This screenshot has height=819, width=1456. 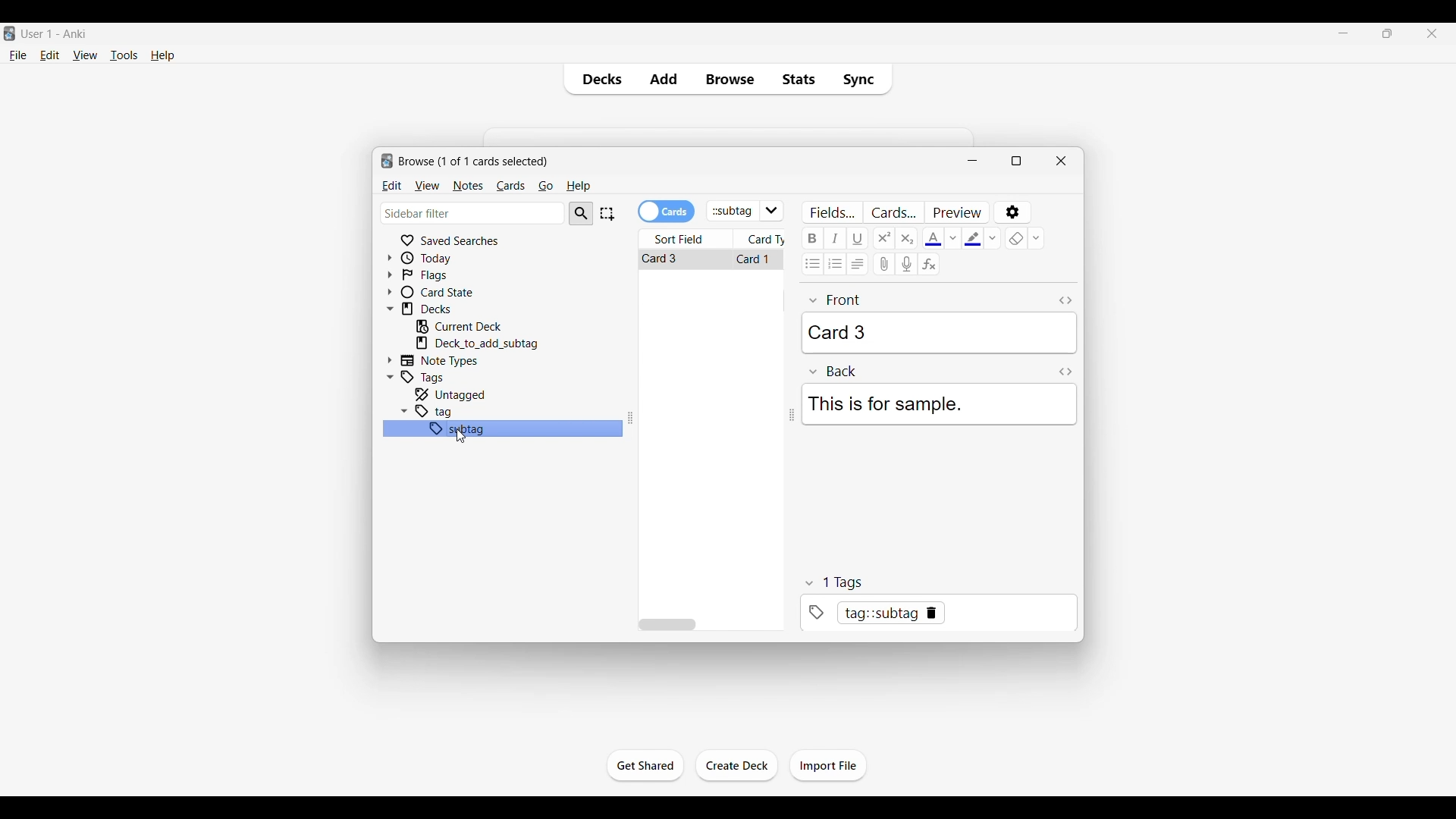 I want to click on Click to expand flags, so click(x=390, y=275).